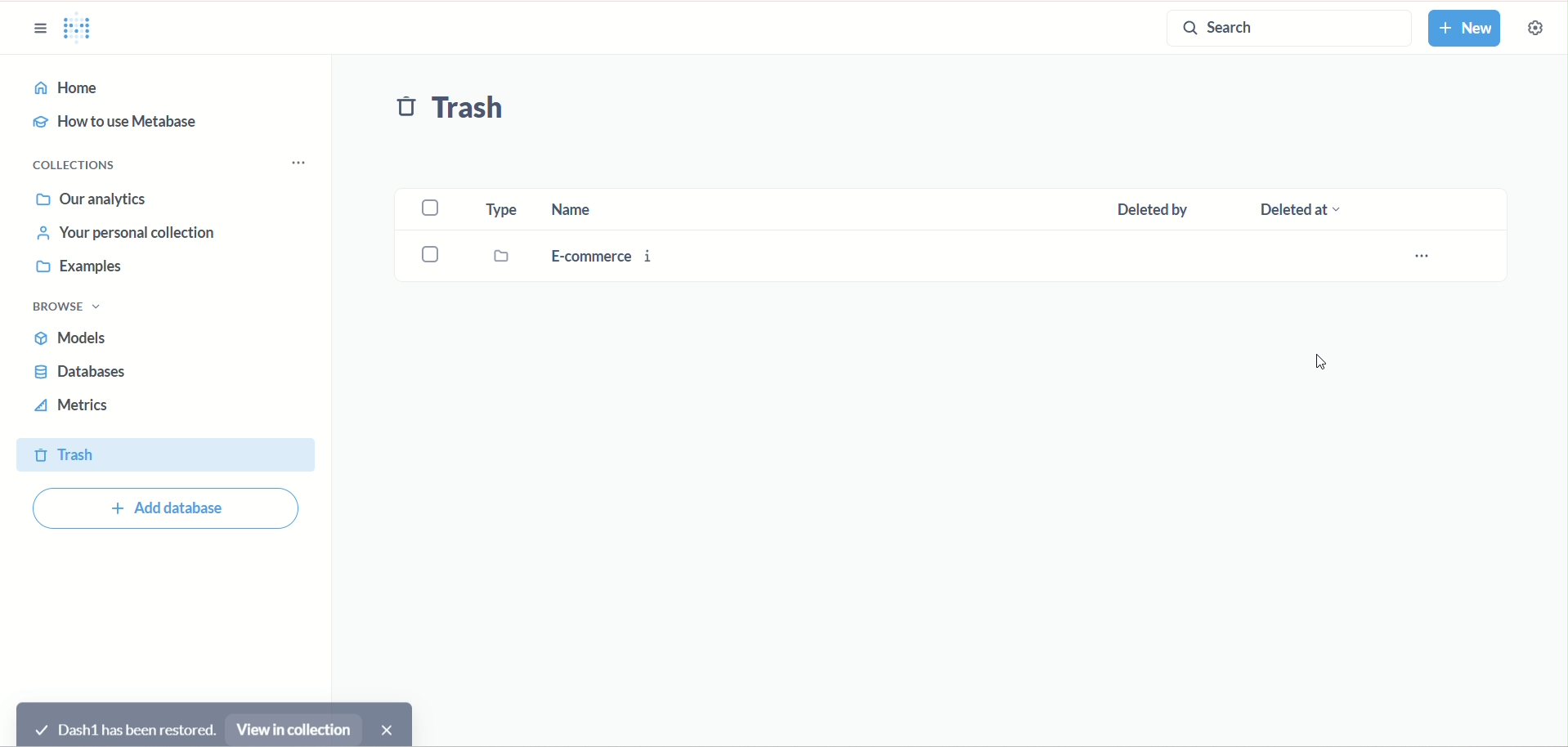 This screenshot has width=1568, height=747. Describe the element at coordinates (165, 88) in the screenshot. I see `home` at that location.